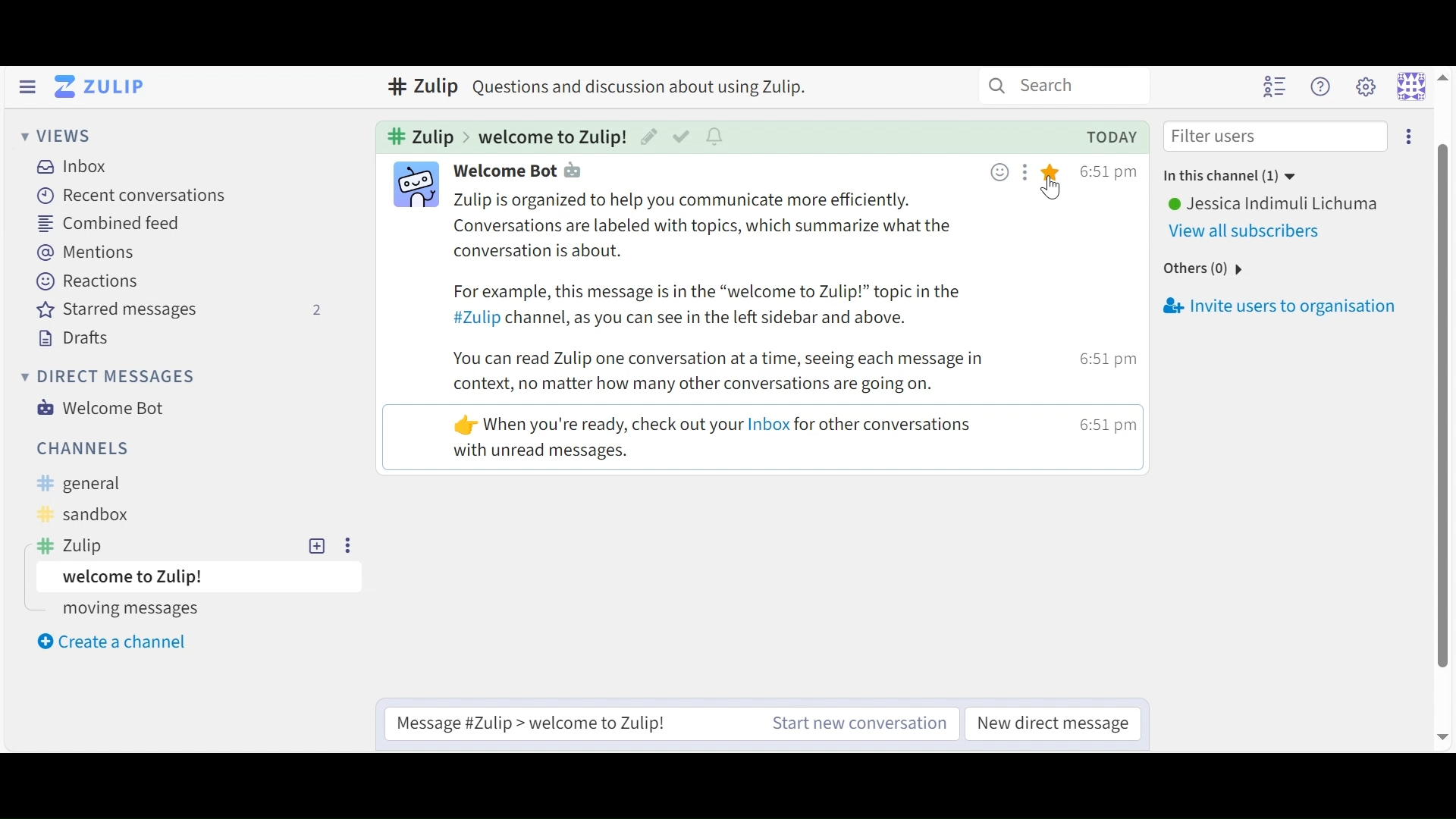 The image size is (1456, 819). I want to click on Hide Sidebar, so click(29, 85).